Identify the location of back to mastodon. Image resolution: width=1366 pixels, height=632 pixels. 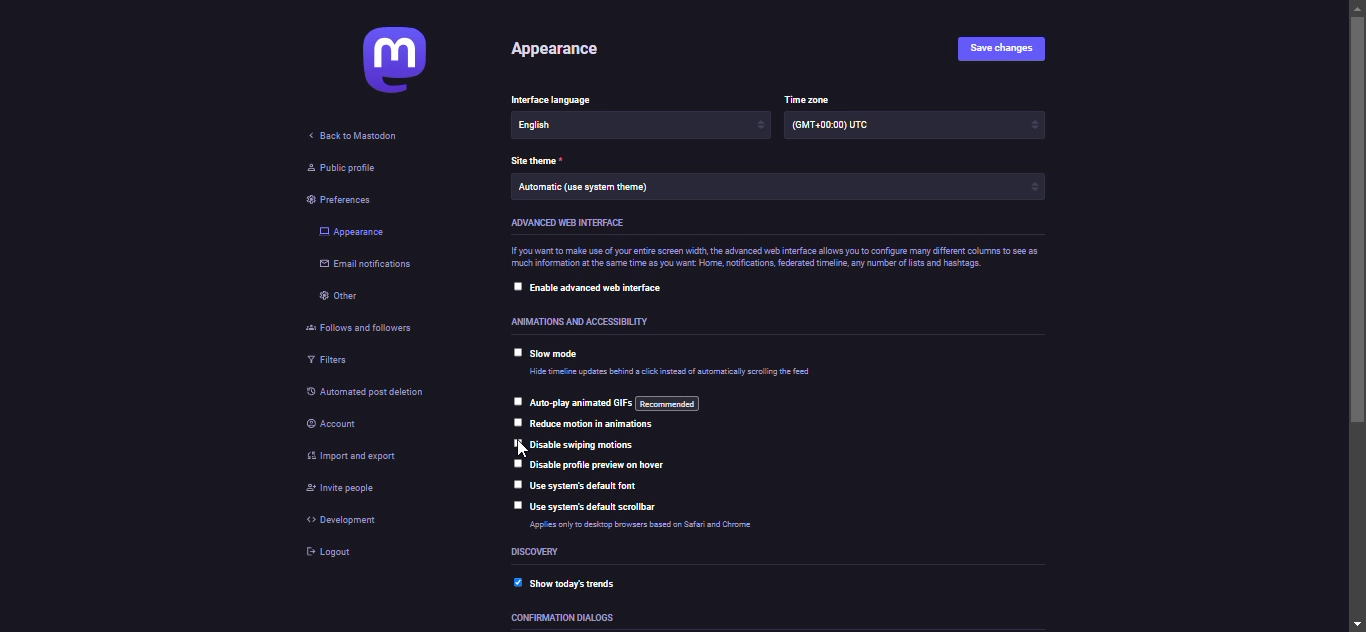
(355, 136).